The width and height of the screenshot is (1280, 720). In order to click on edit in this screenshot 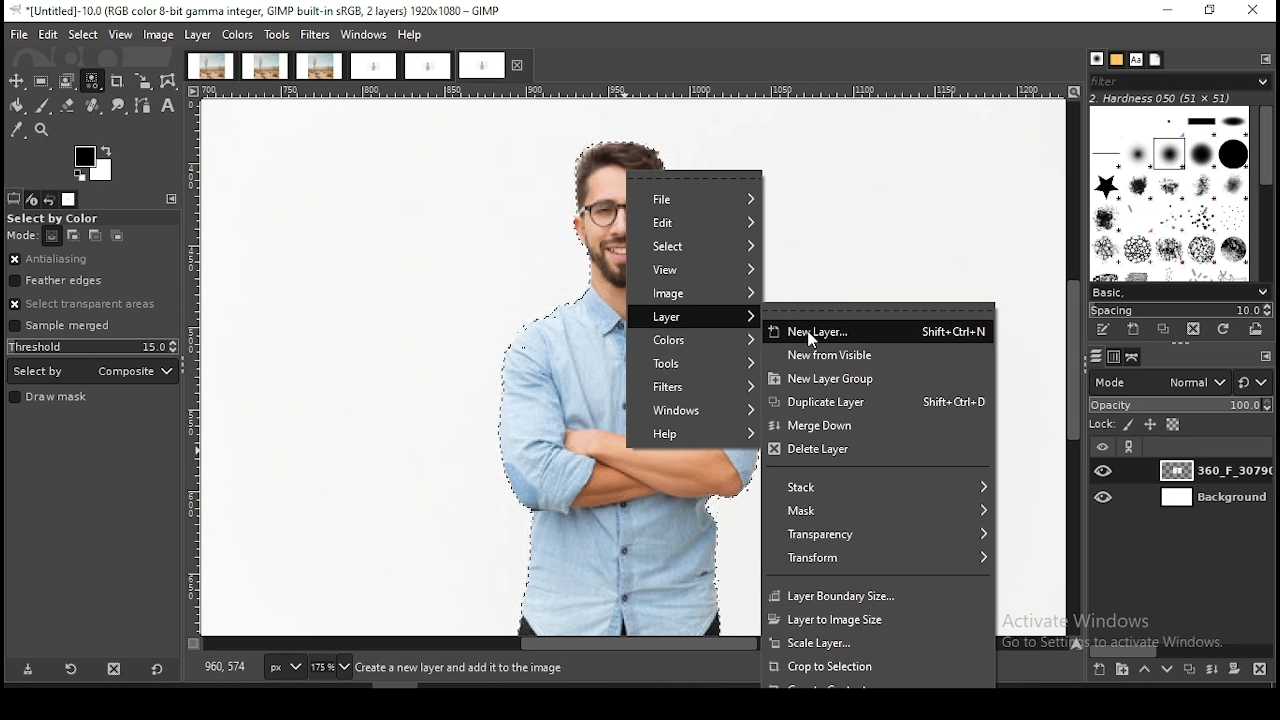, I will do `click(49, 34)`.